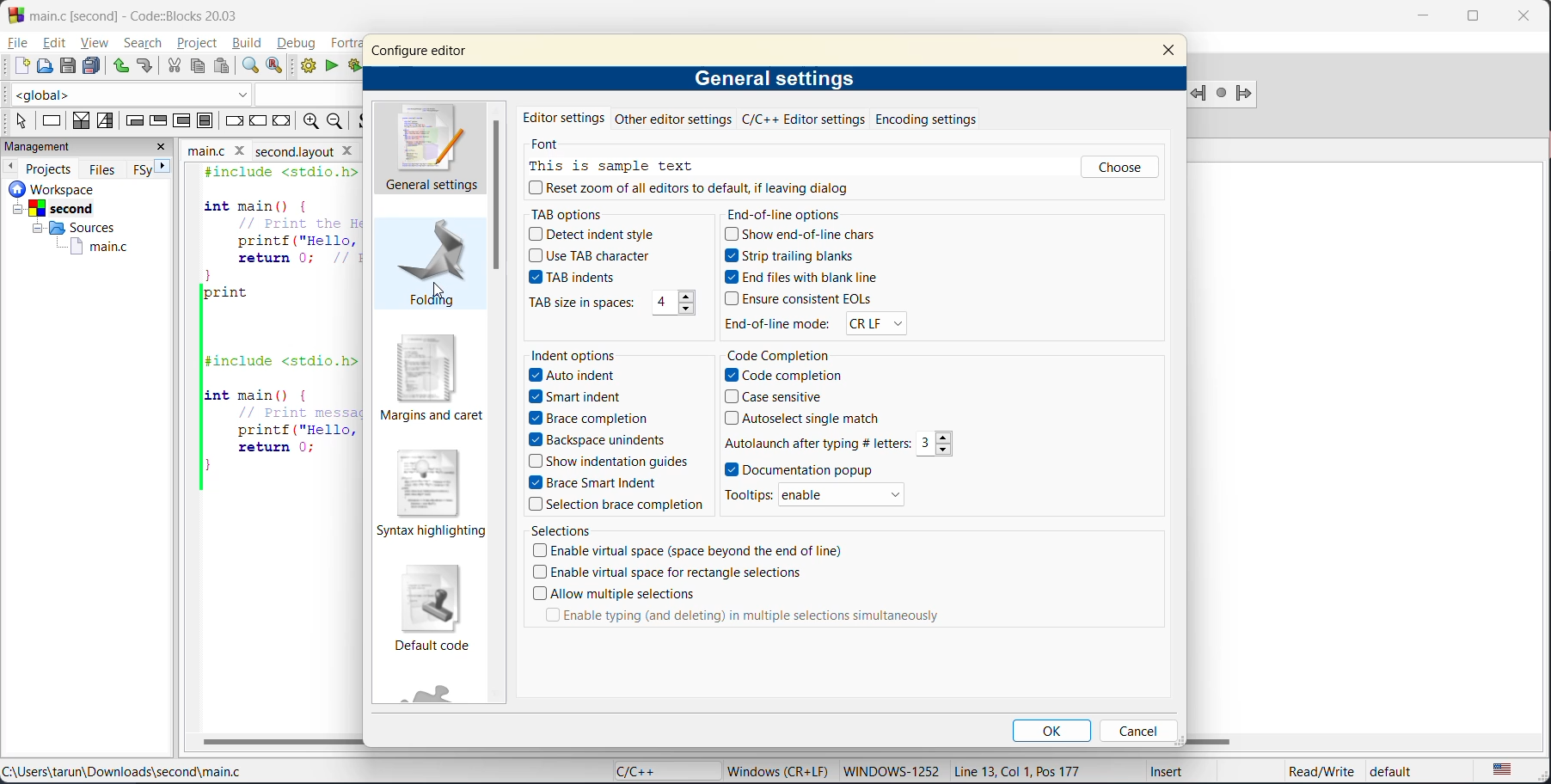  I want to click on view, so click(95, 42).